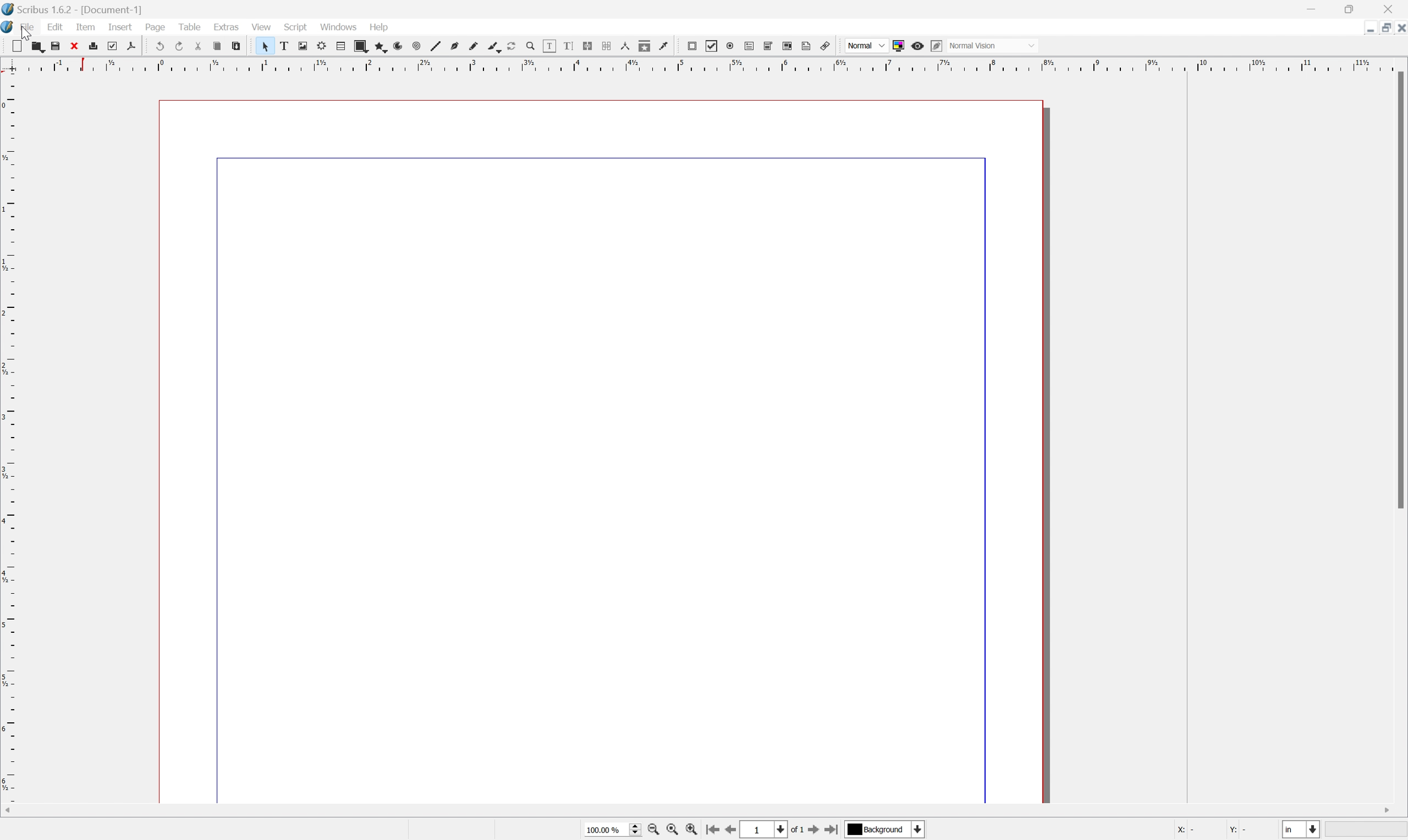 Image resolution: width=1408 pixels, height=840 pixels. Describe the element at coordinates (898, 45) in the screenshot. I see `Toggle color management system` at that location.